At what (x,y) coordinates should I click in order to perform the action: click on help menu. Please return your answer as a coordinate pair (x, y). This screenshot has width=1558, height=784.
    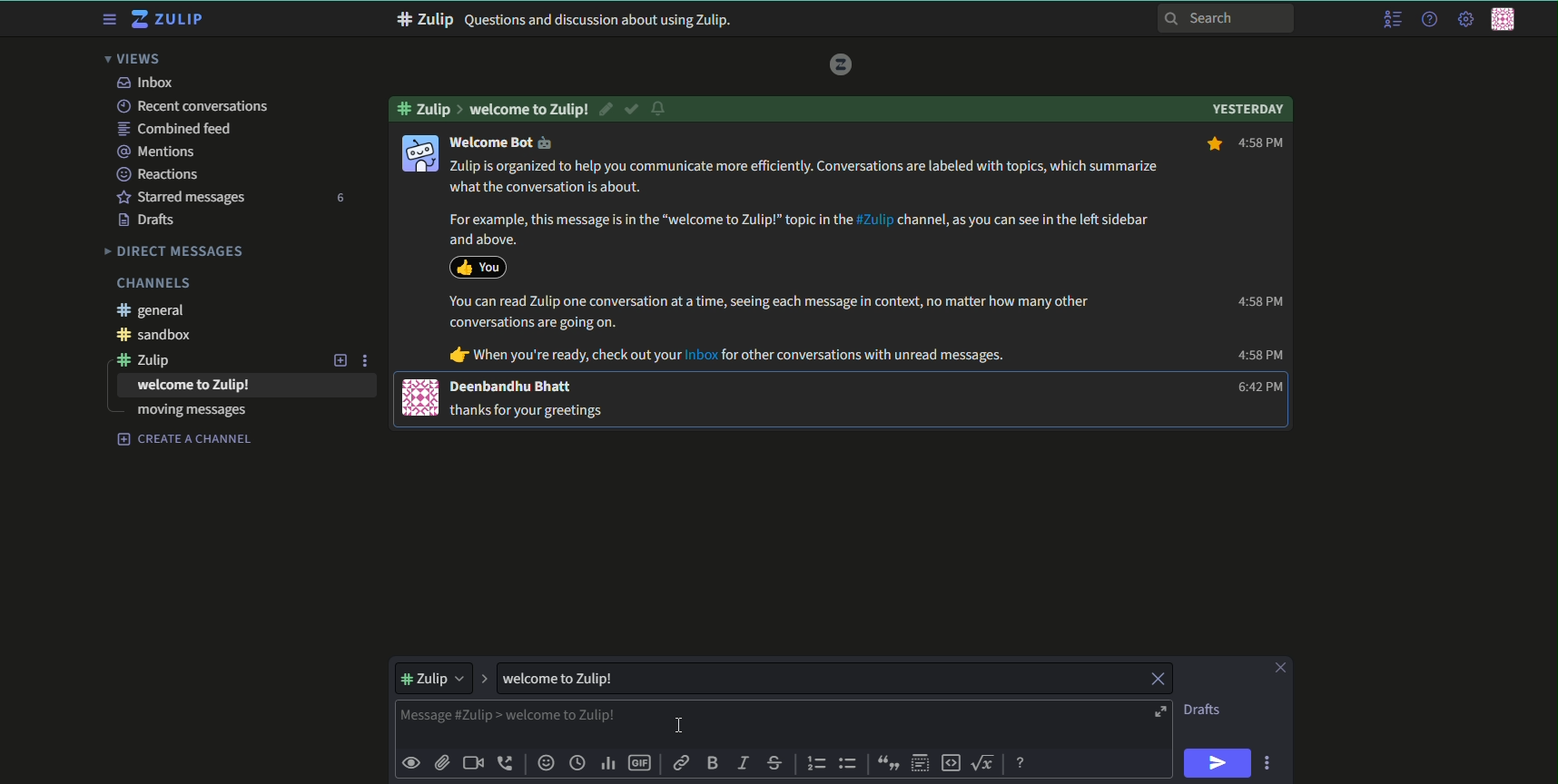
    Looking at the image, I should click on (1427, 20).